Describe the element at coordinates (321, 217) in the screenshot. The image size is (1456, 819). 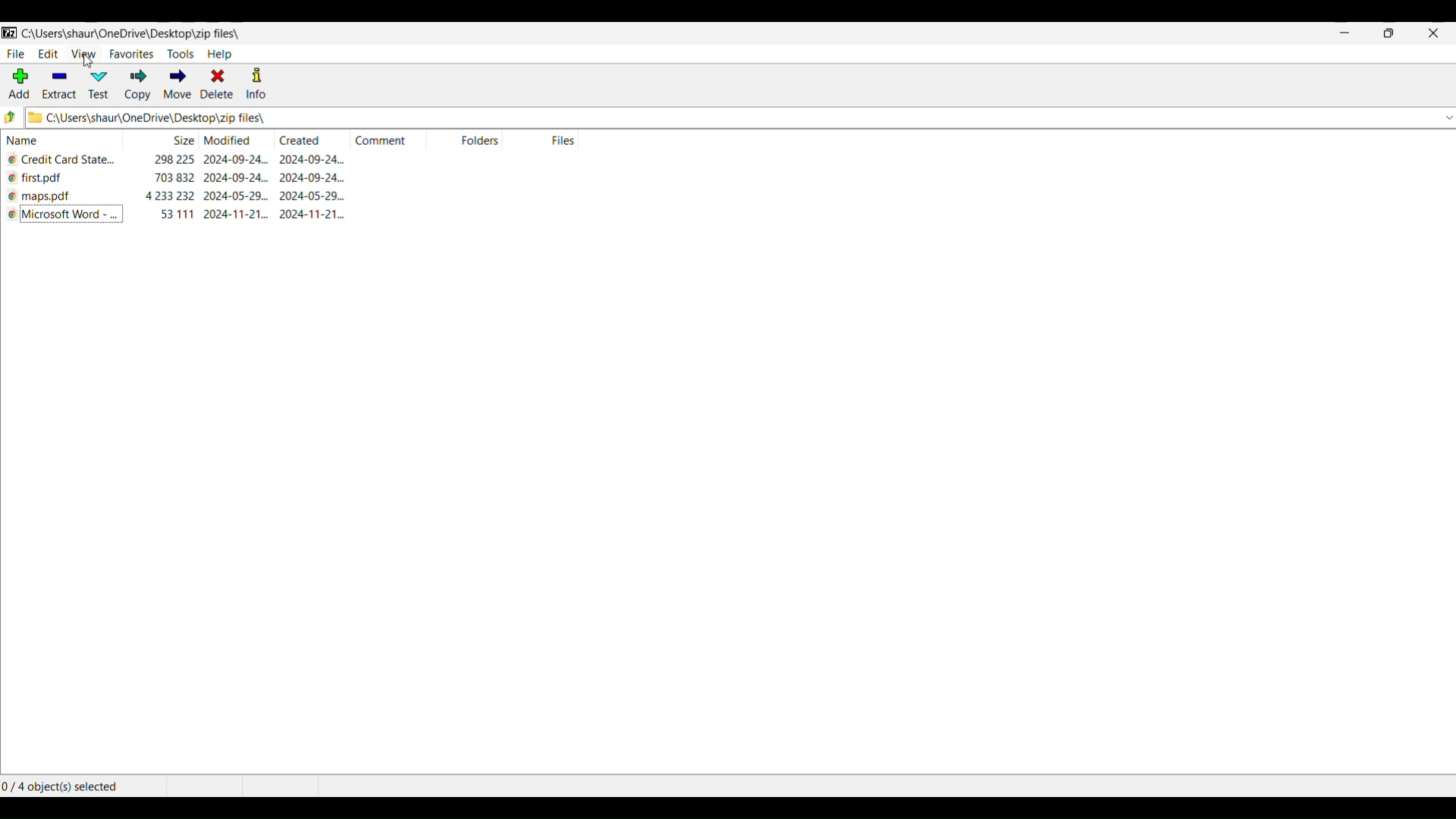
I see `creation date` at that location.